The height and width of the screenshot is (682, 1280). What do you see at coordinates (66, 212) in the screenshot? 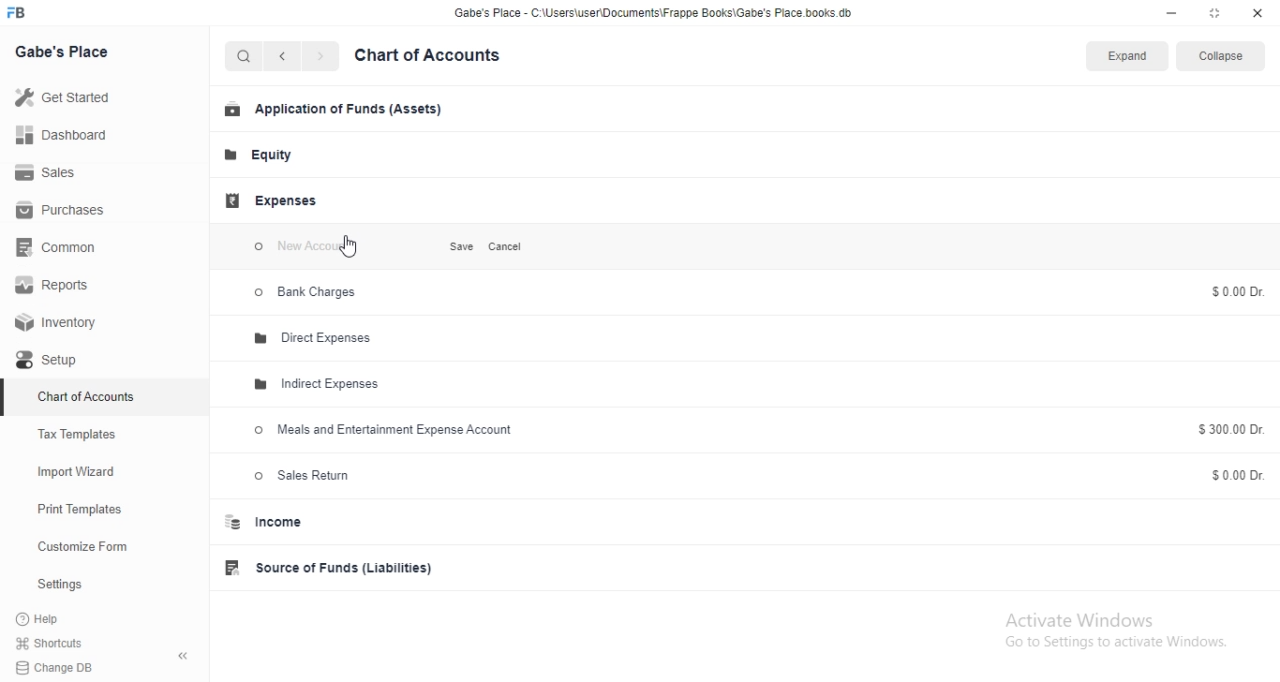
I see `Purchases` at bounding box center [66, 212].